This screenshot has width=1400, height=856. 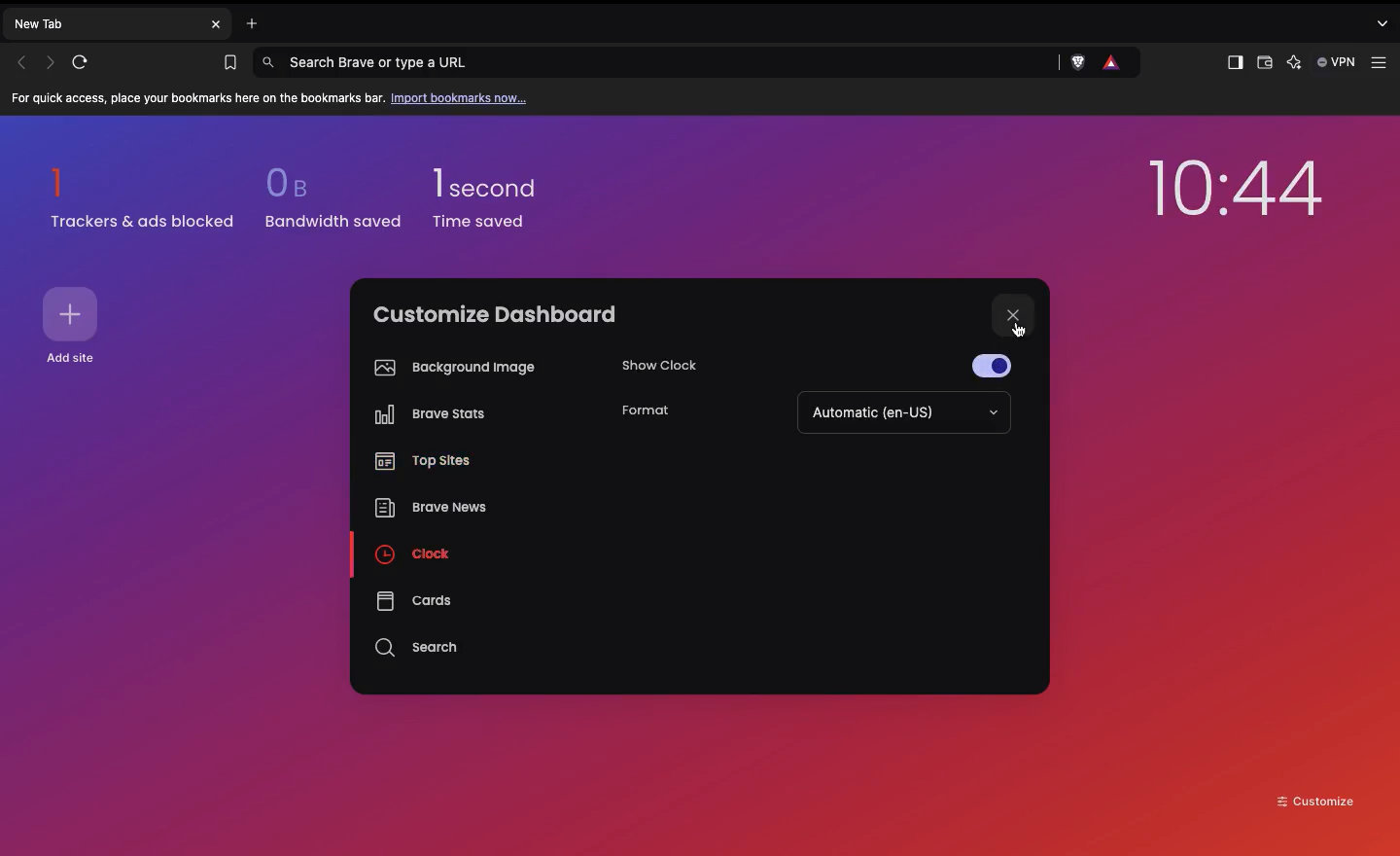 What do you see at coordinates (1293, 64) in the screenshot?
I see `Leo AI` at bounding box center [1293, 64].